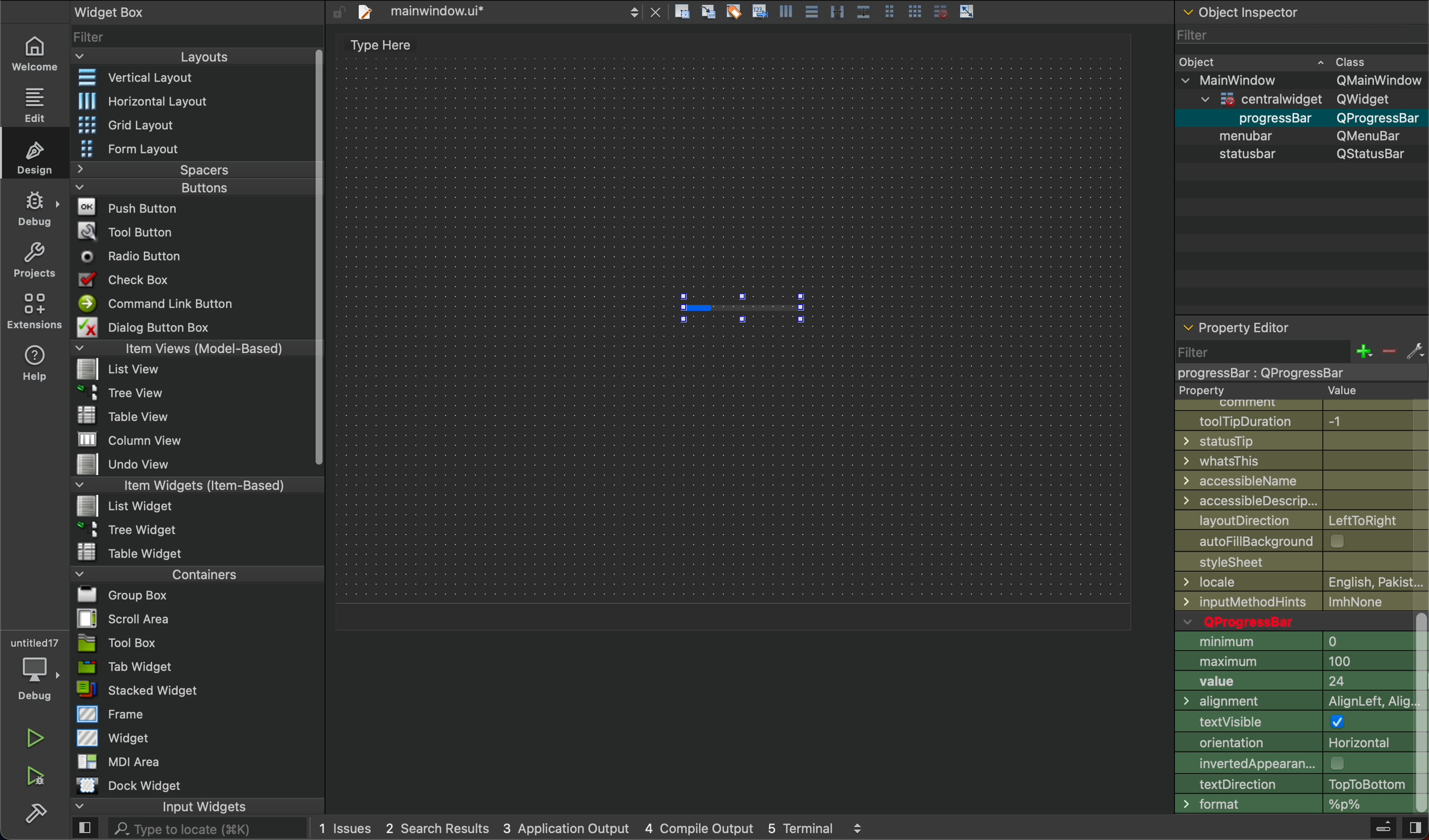 This screenshot has height=840, width=1429. What do you see at coordinates (1307, 542) in the screenshot?
I see `autofill` at bounding box center [1307, 542].